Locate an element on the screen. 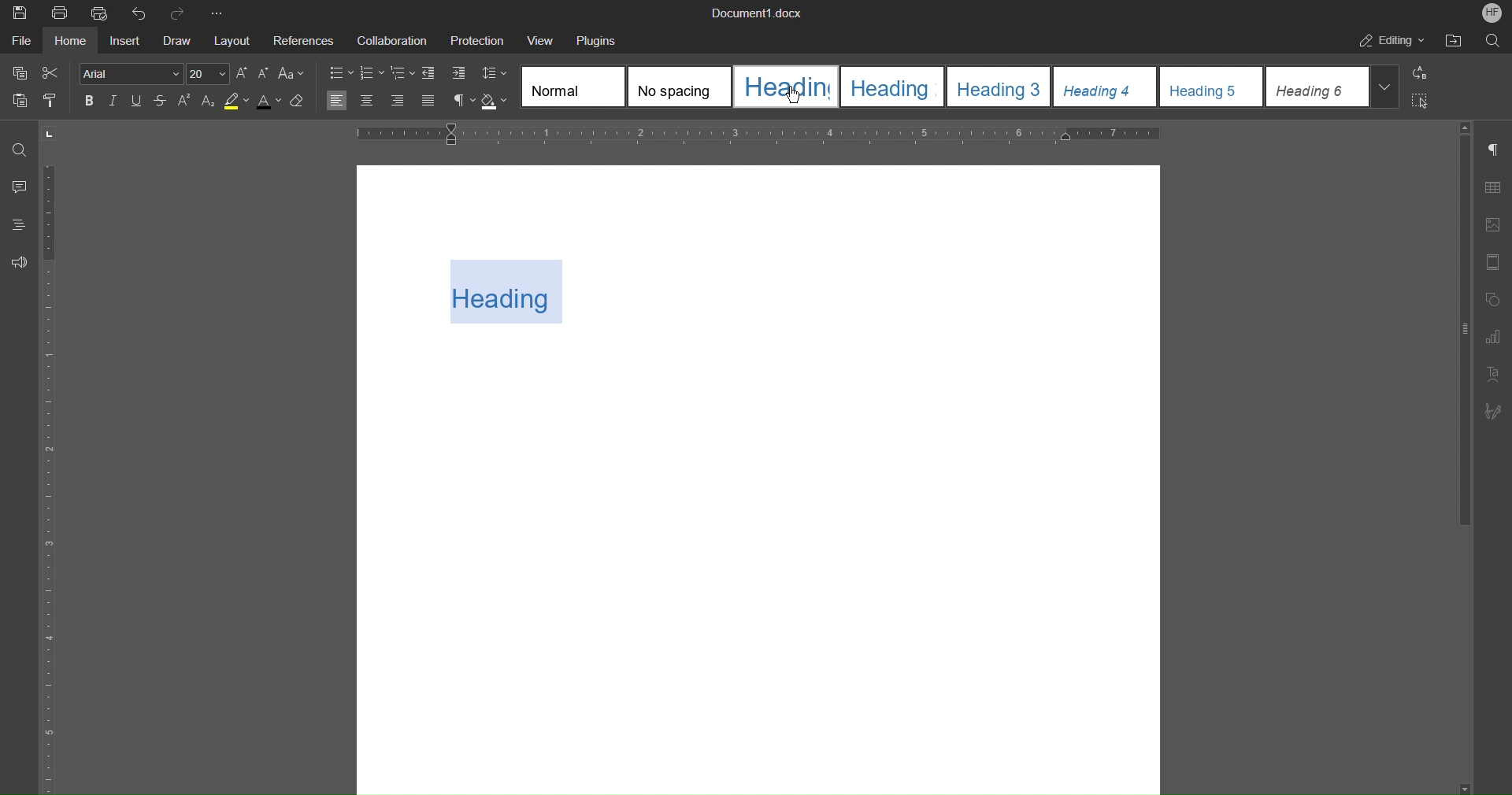 This screenshot has width=1512, height=795. Non-Printing Characters is located at coordinates (464, 102).